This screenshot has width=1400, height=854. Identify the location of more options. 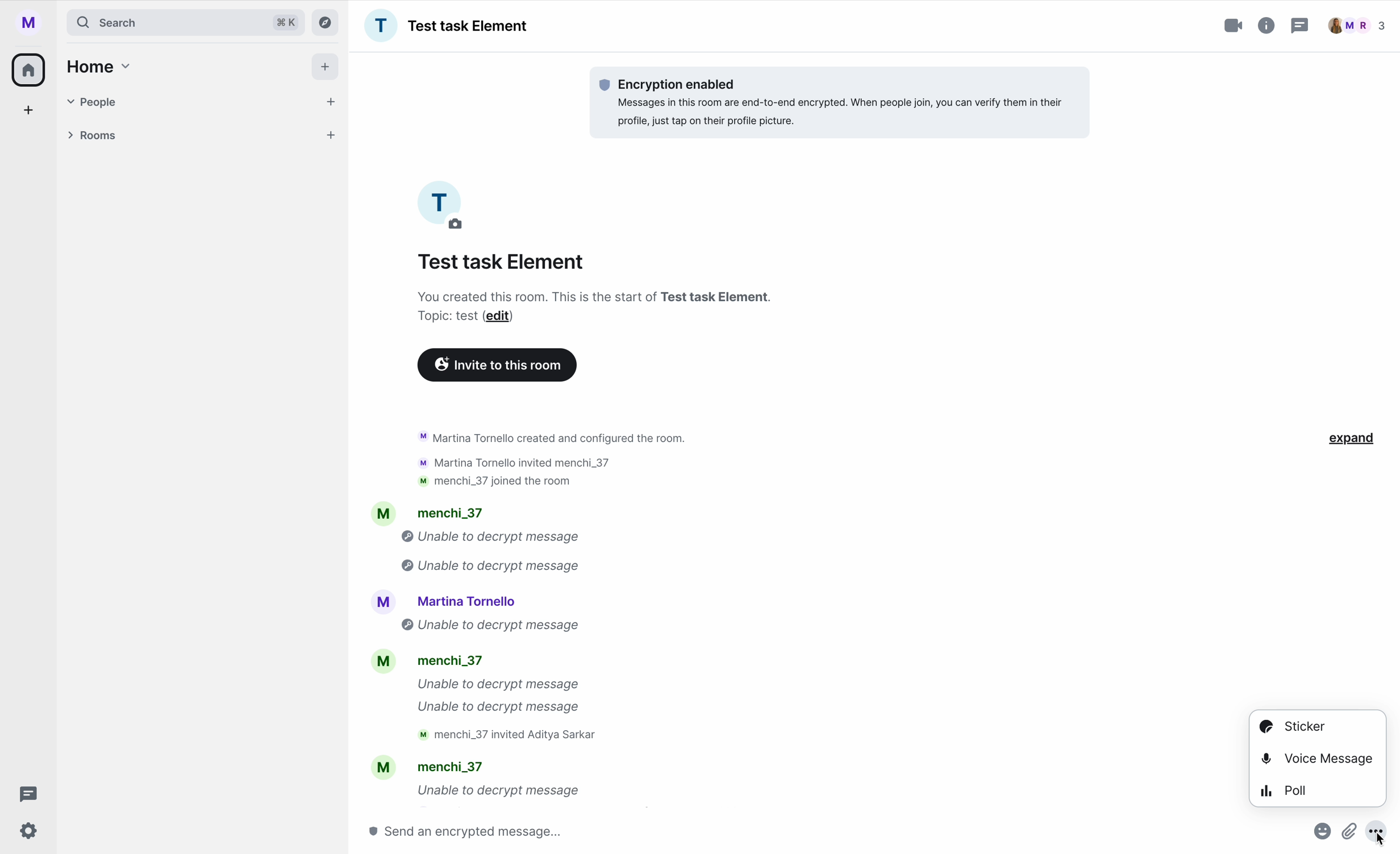
(1382, 836).